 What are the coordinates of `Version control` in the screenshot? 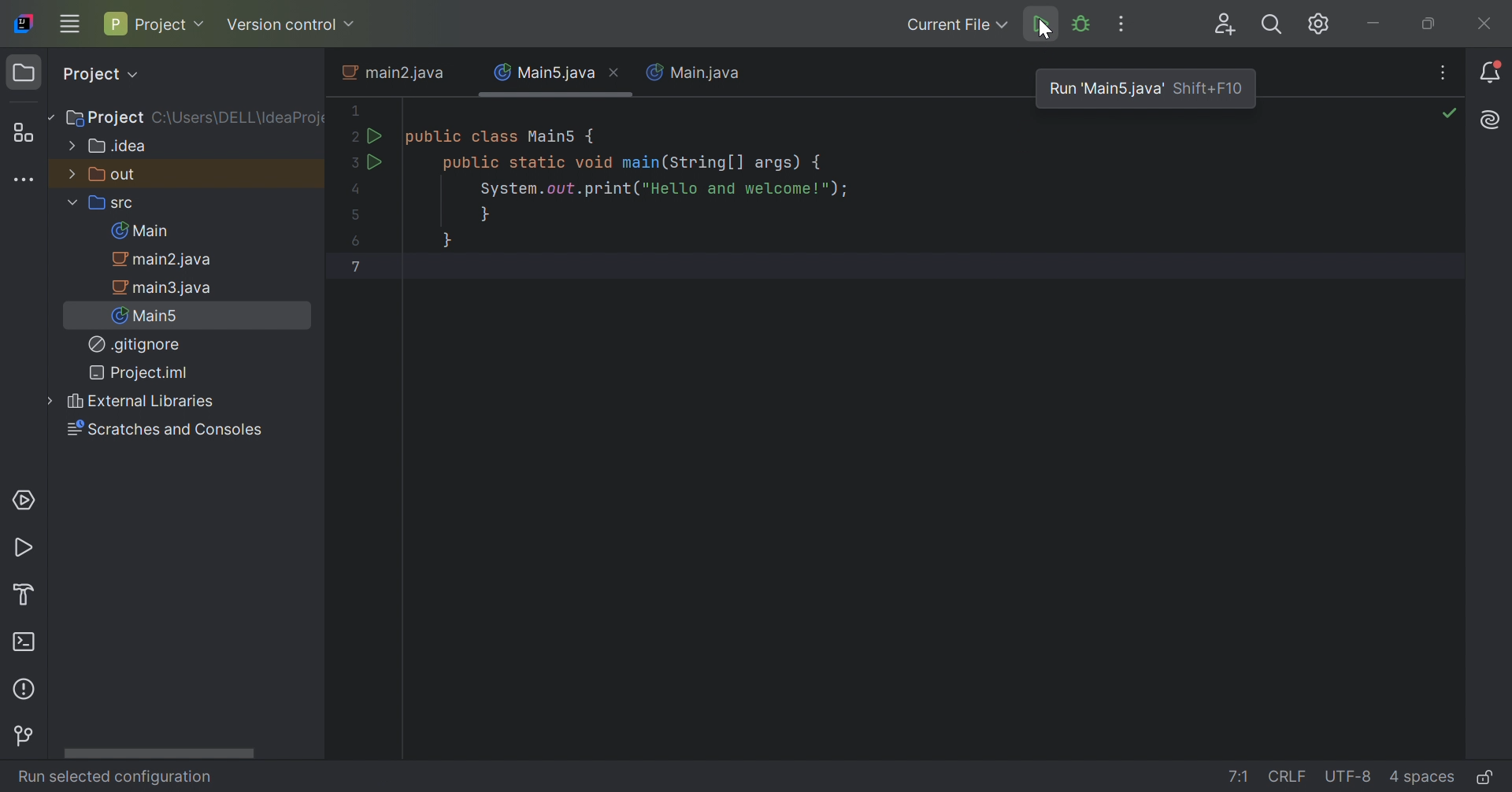 It's located at (294, 24).